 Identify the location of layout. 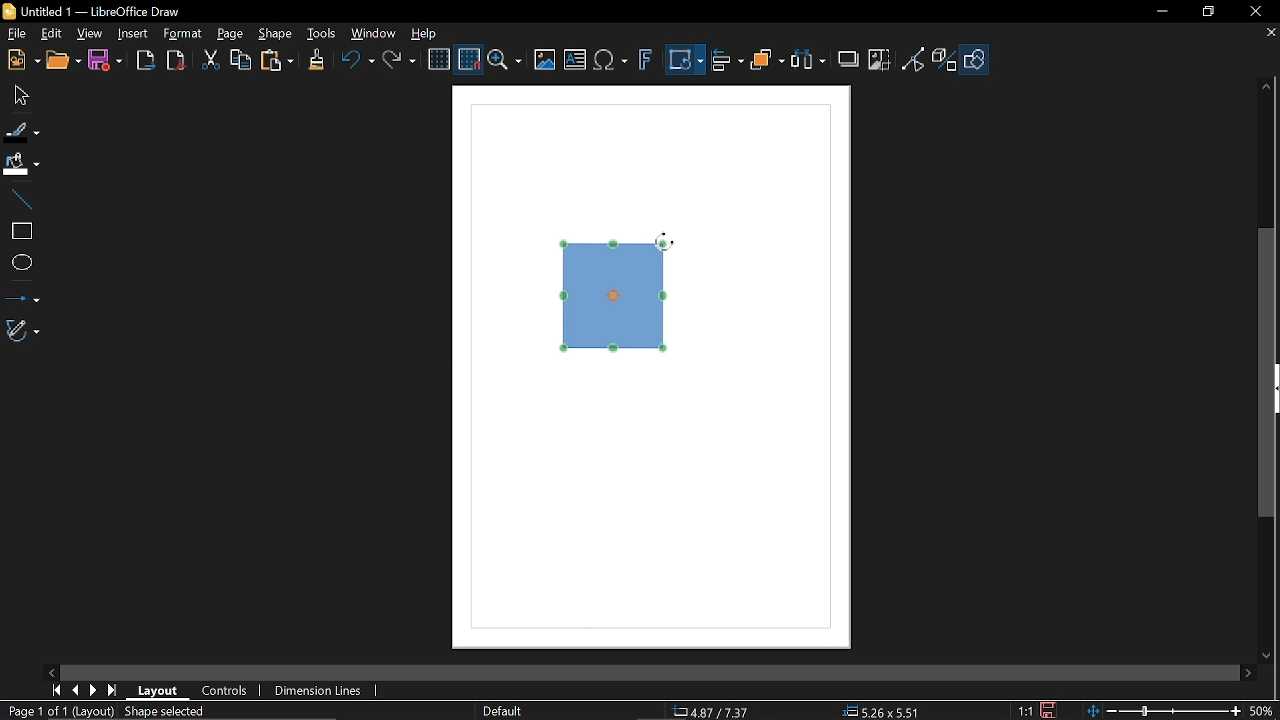
(158, 692).